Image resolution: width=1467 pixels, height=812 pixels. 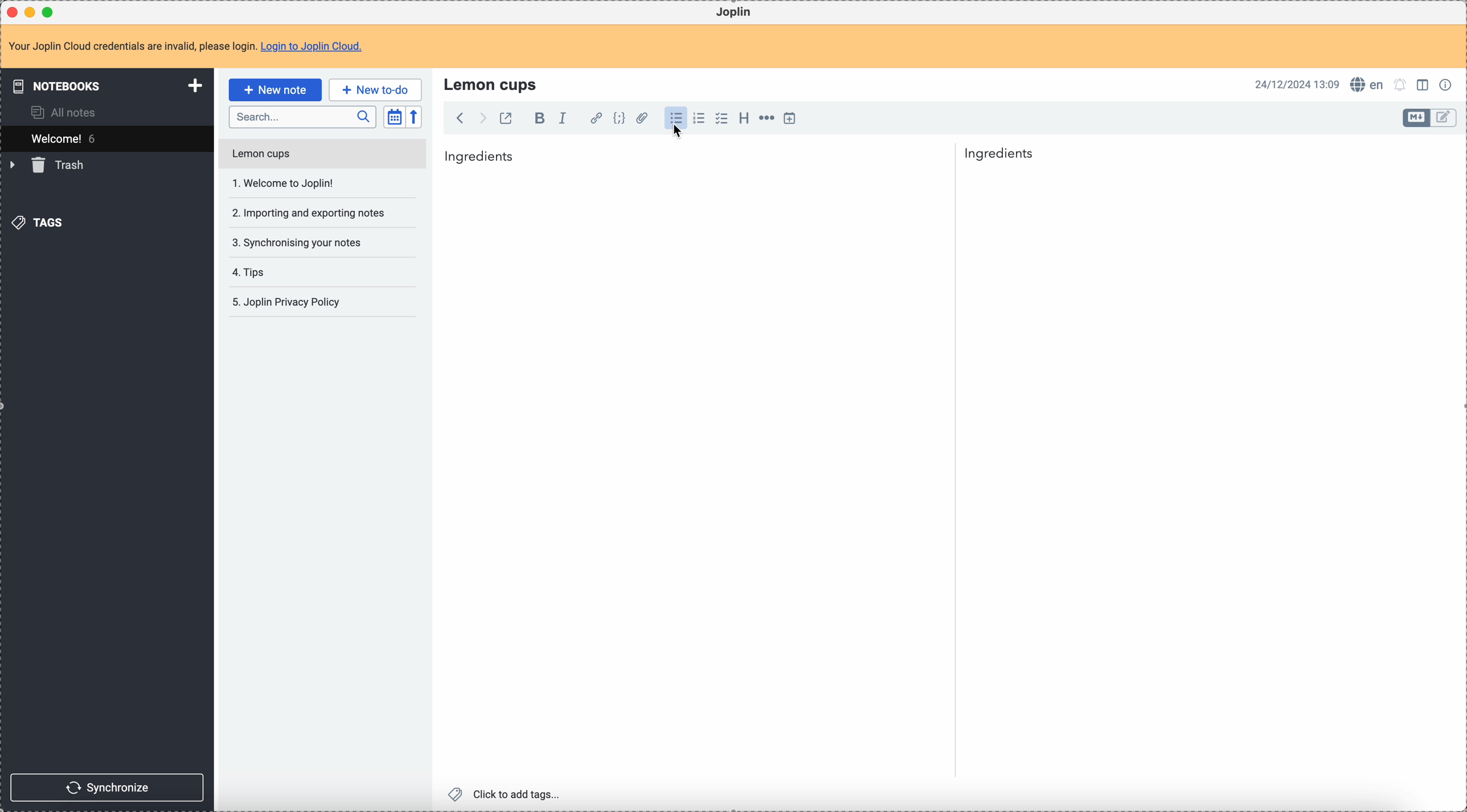 I want to click on ingredients, so click(x=1004, y=155).